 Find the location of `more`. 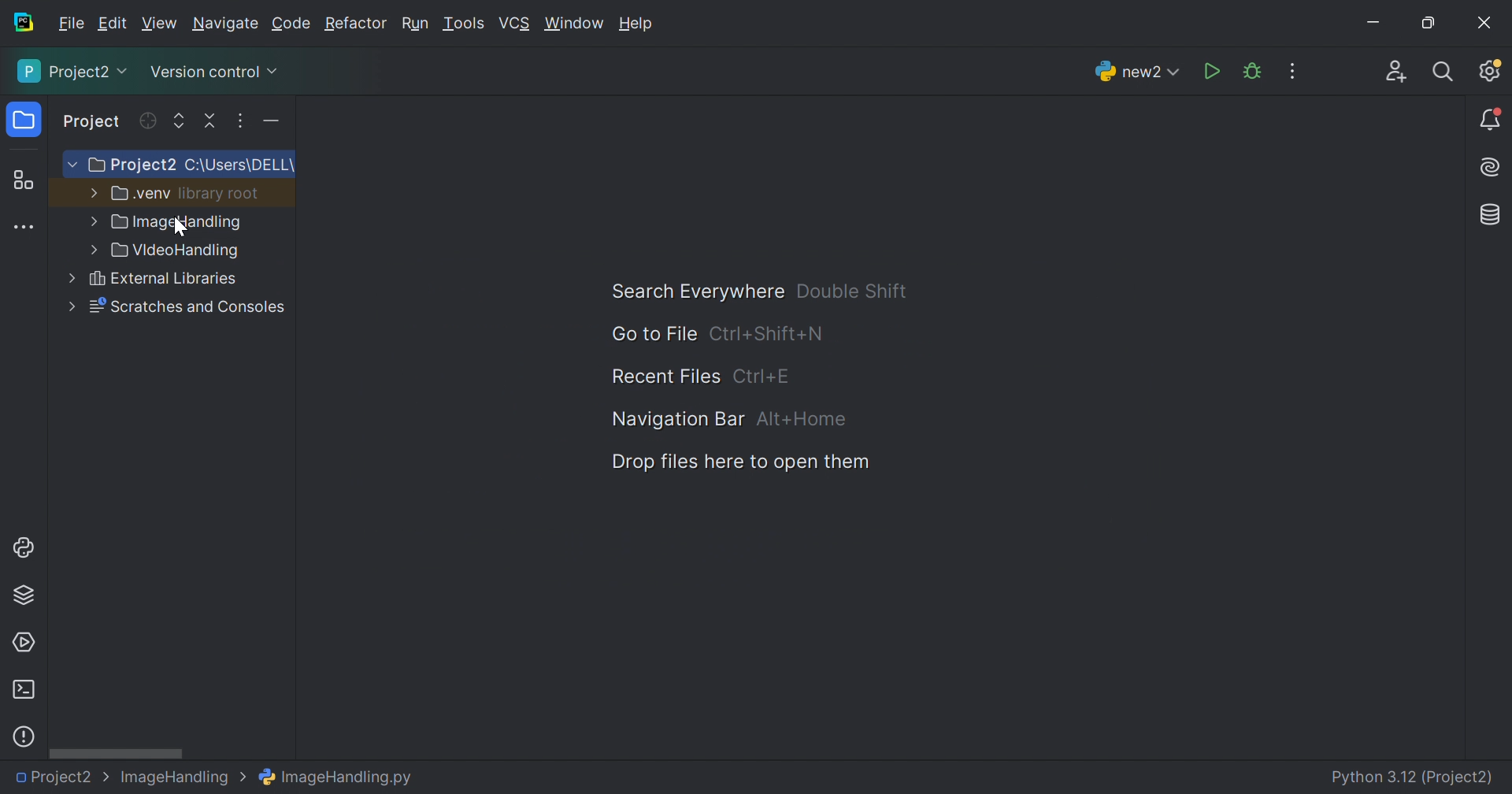

more is located at coordinates (65, 309).